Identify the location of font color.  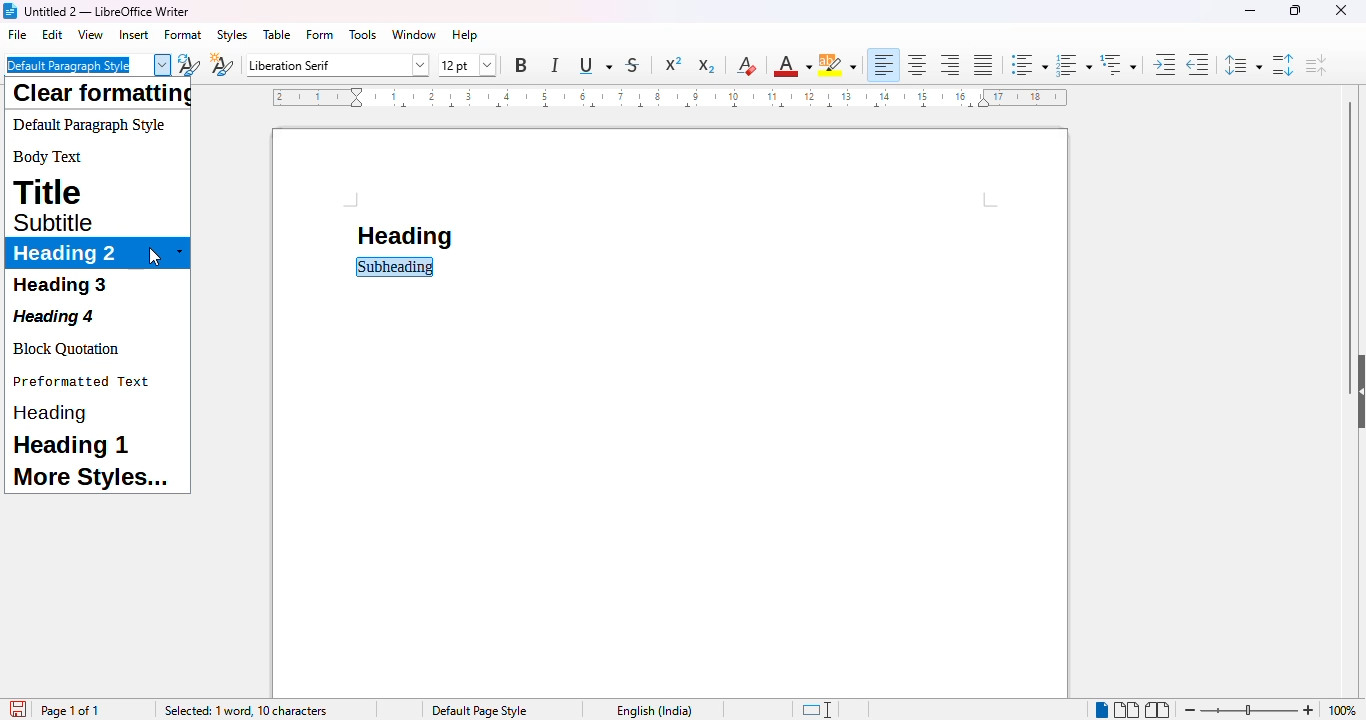
(791, 67).